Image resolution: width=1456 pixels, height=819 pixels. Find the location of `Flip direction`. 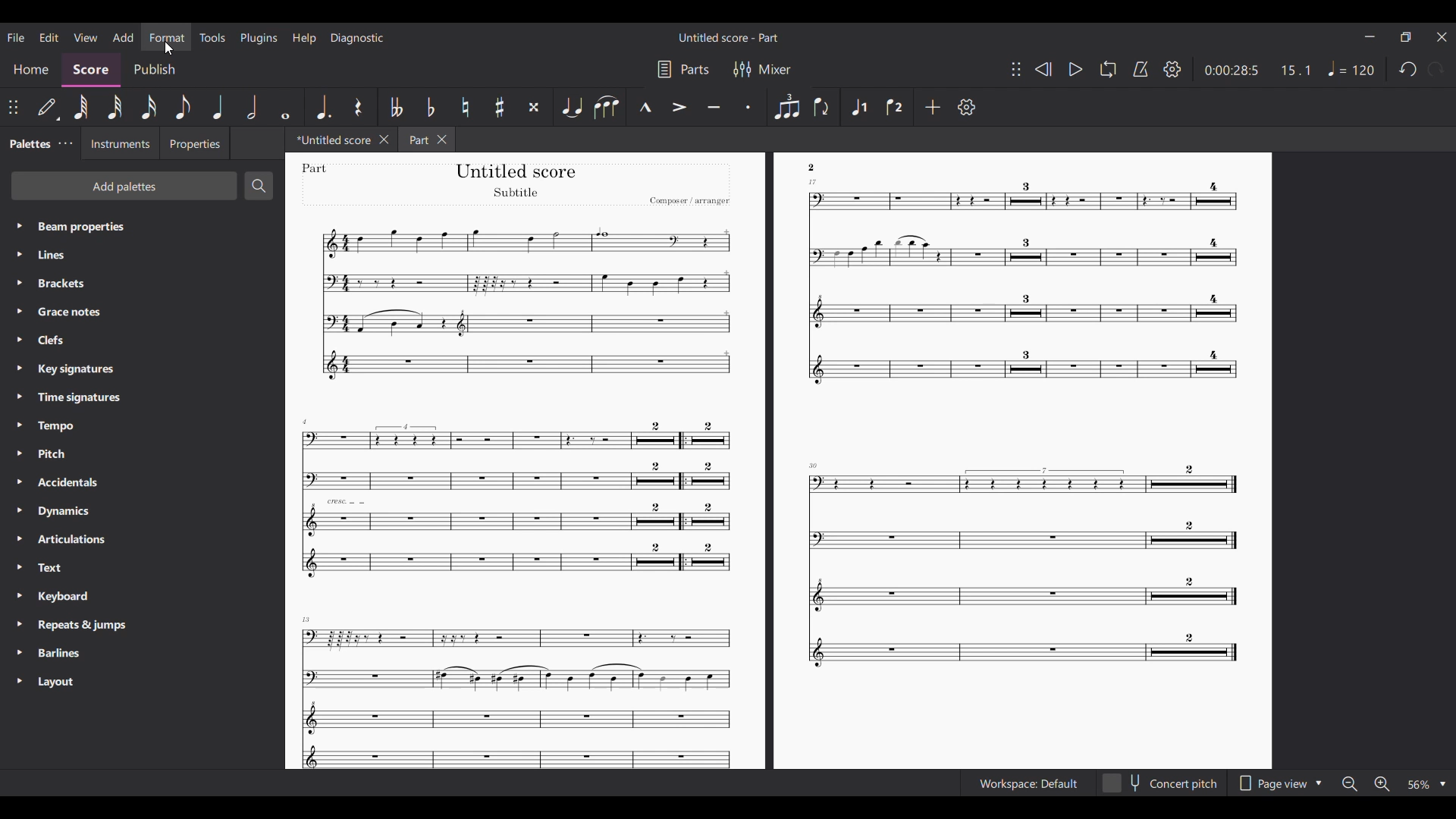

Flip direction is located at coordinates (822, 107).